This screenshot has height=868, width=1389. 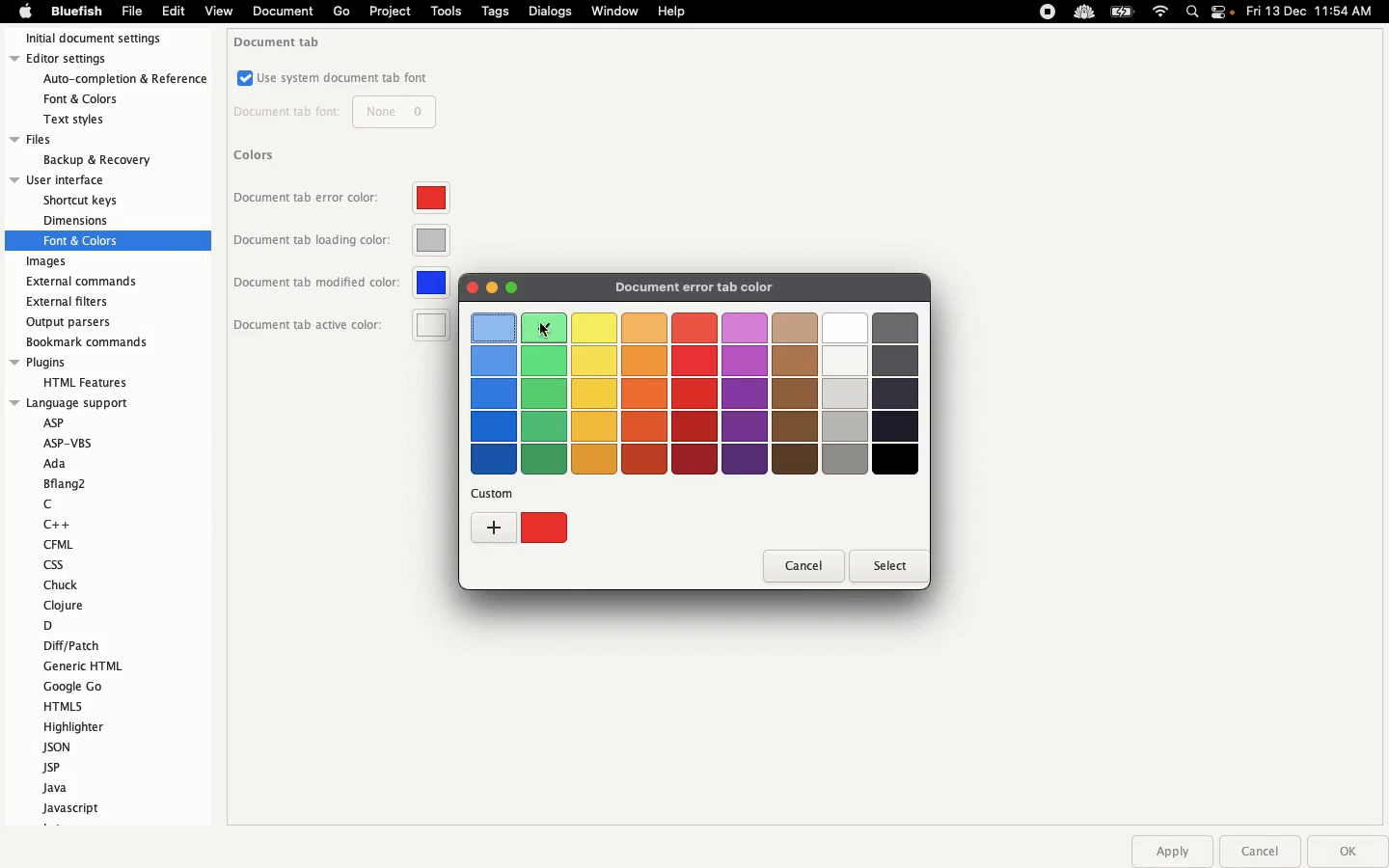 What do you see at coordinates (95, 160) in the screenshot?
I see `backup & recovery` at bounding box center [95, 160].